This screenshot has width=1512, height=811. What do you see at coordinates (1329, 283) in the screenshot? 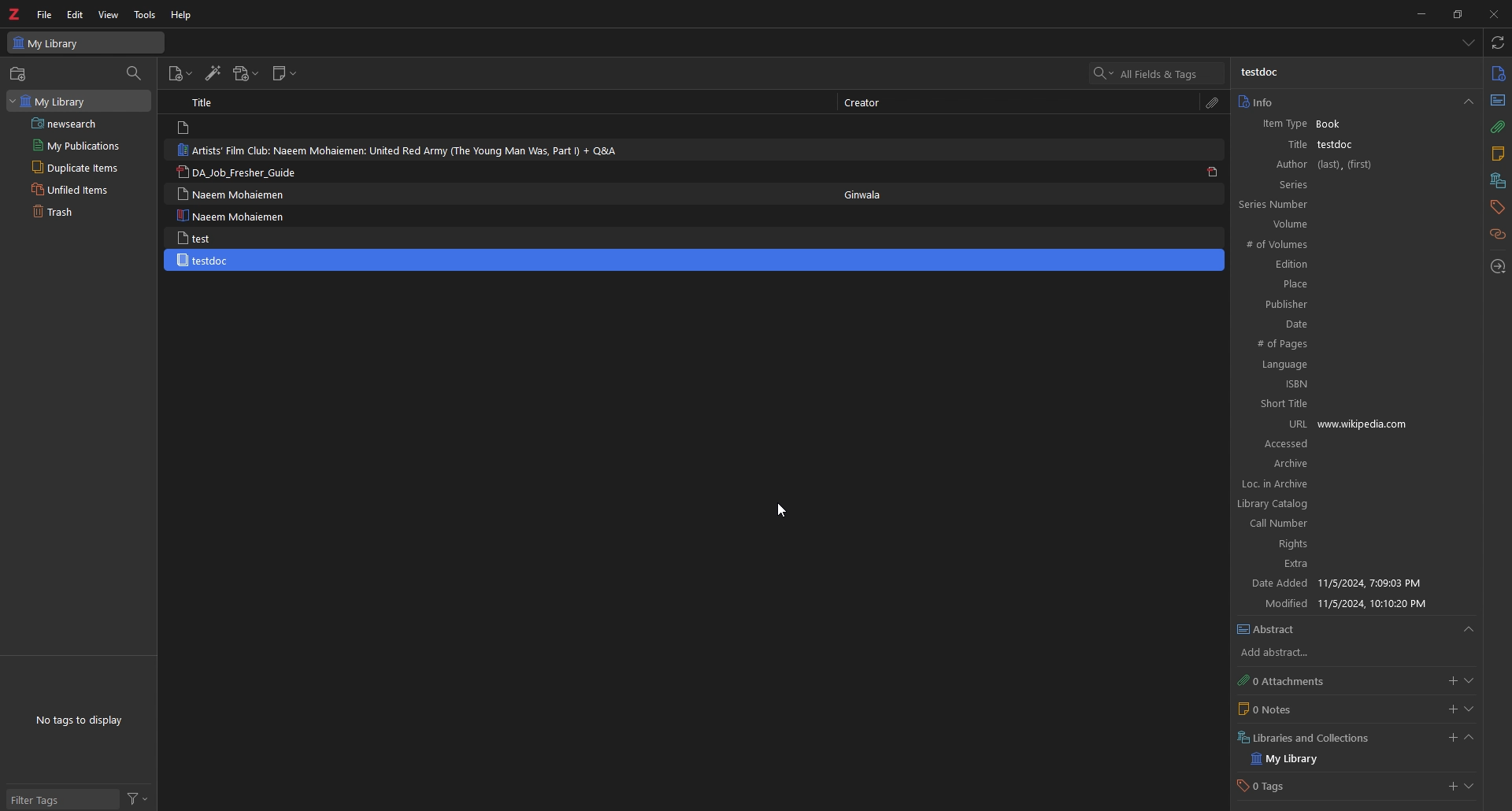
I see `Place` at bounding box center [1329, 283].